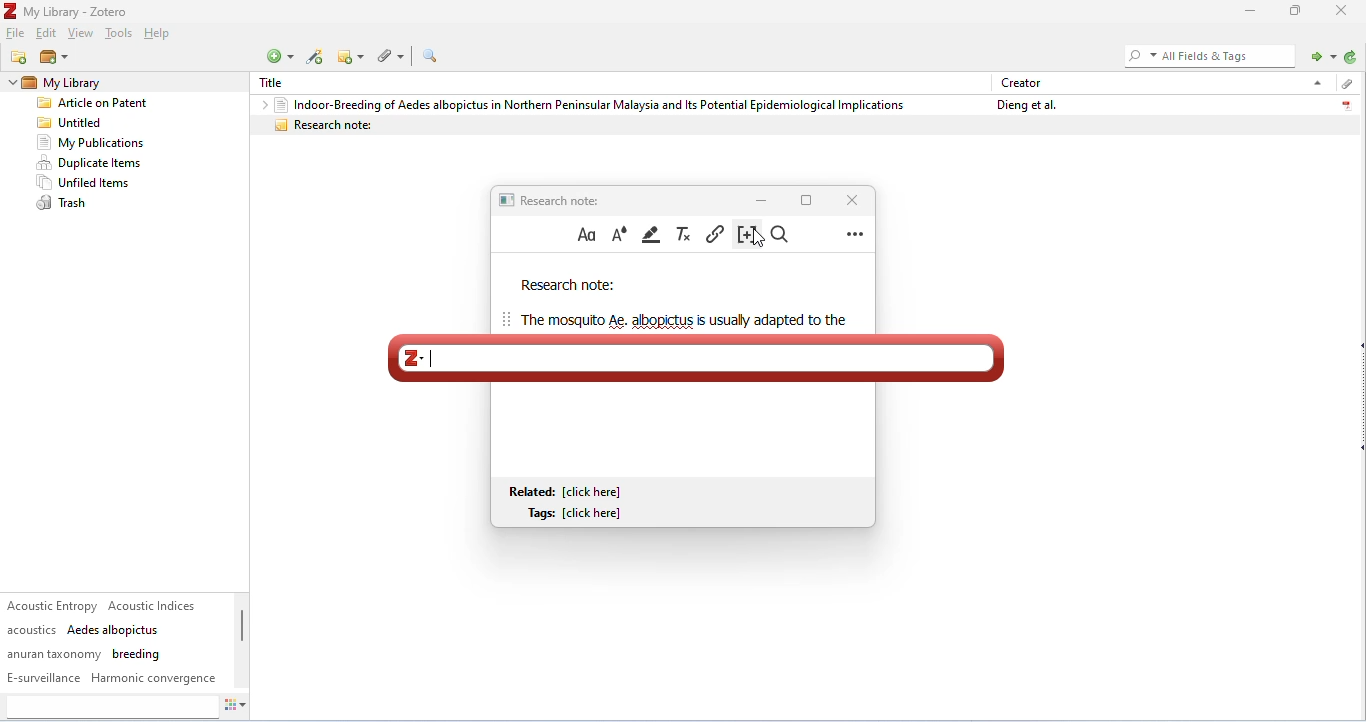  I want to click on related, so click(569, 491).